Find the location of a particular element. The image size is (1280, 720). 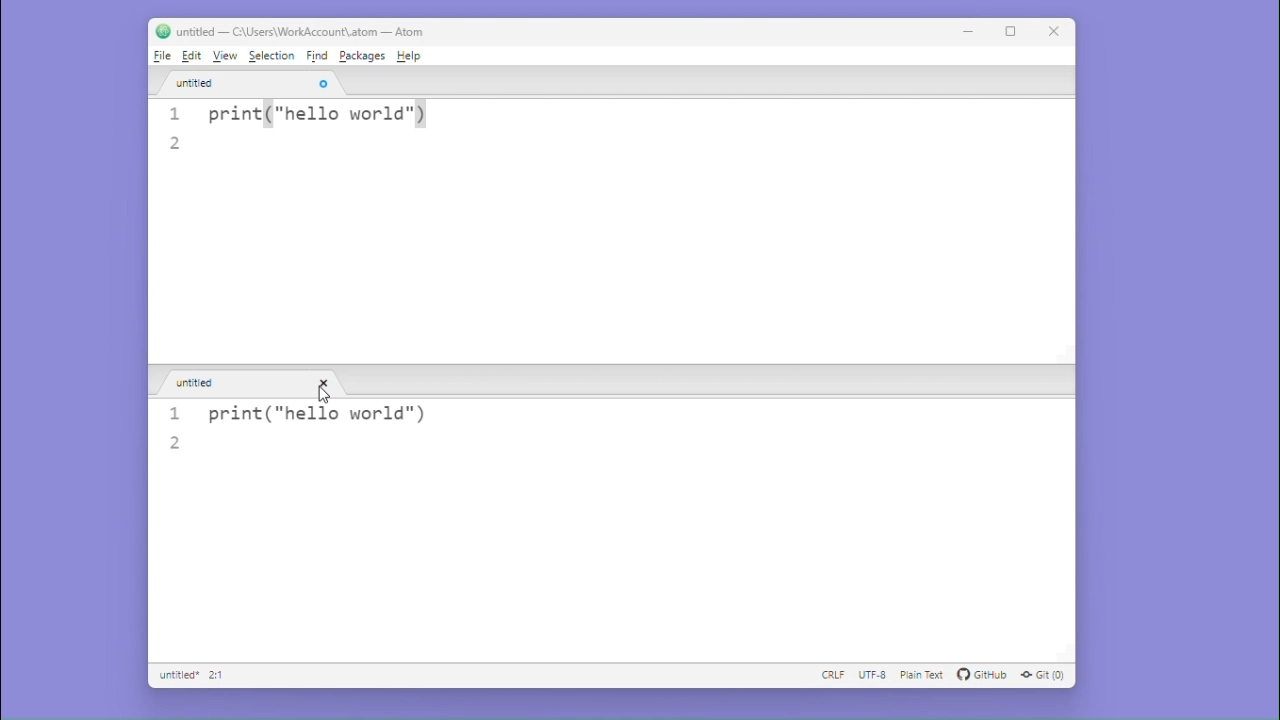

editor pane 2 is located at coordinates (611, 560).